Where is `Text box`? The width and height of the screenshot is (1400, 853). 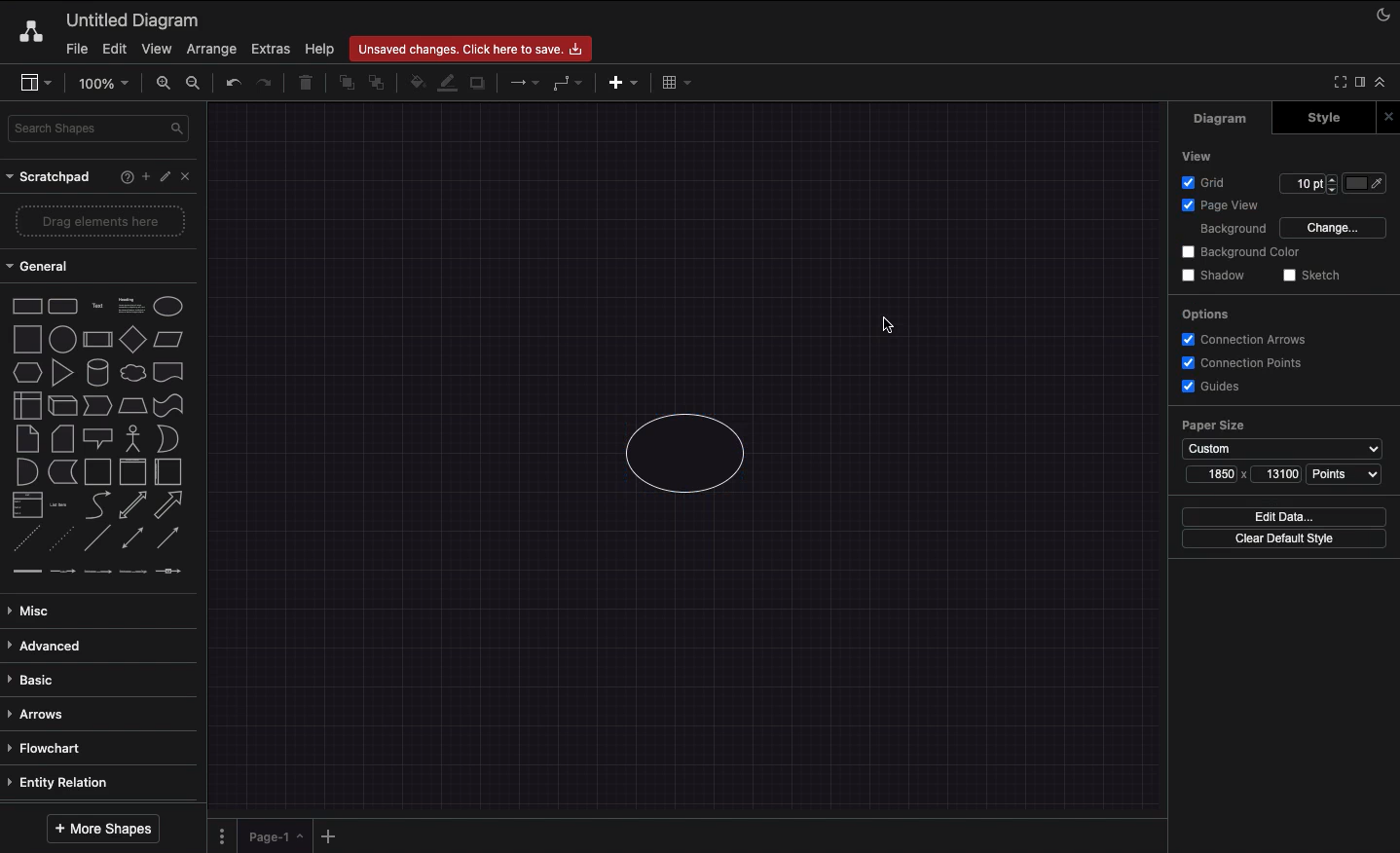
Text box is located at coordinates (129, 306).